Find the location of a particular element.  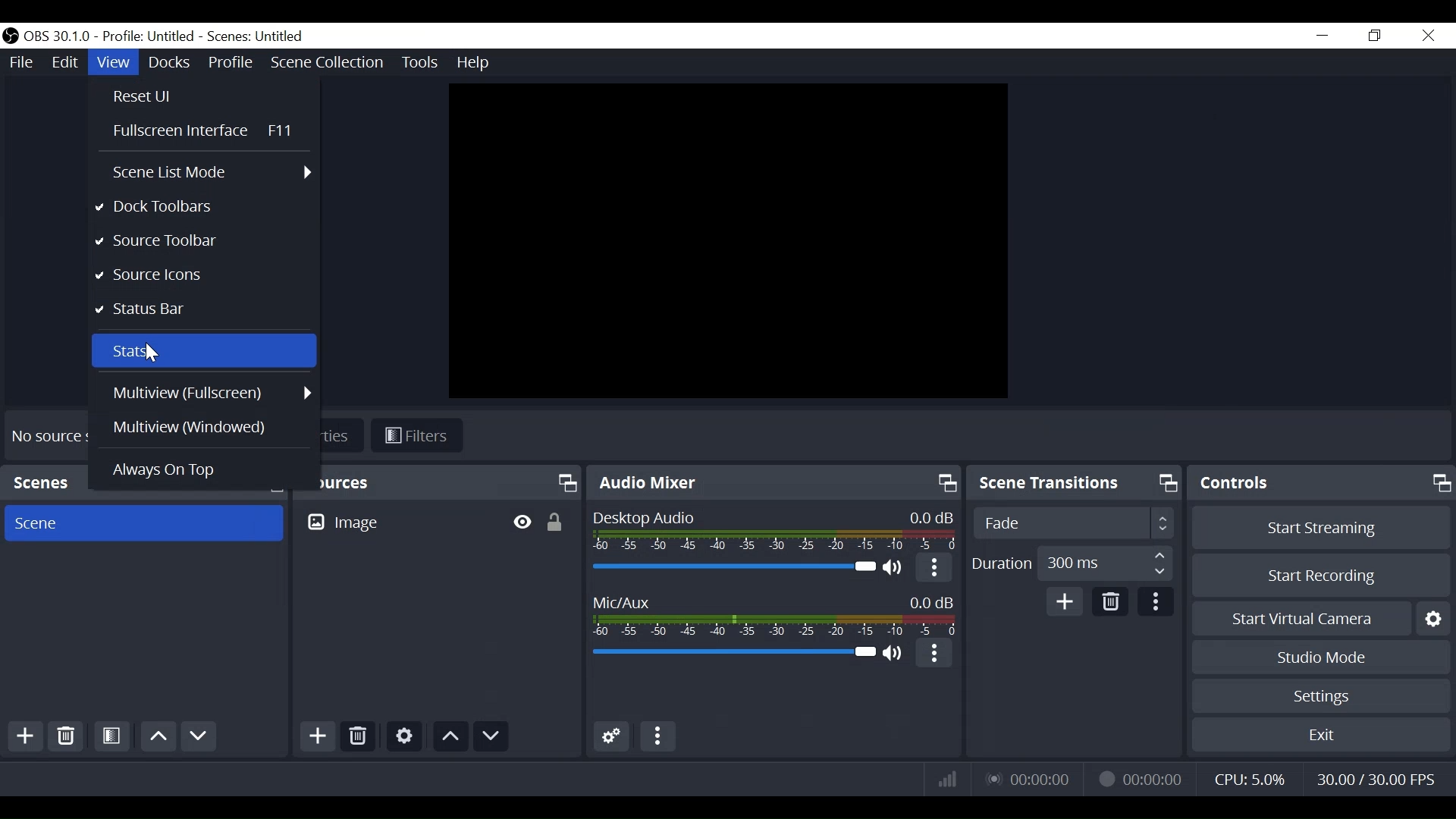

Delete is located at coordinates (65, 737).